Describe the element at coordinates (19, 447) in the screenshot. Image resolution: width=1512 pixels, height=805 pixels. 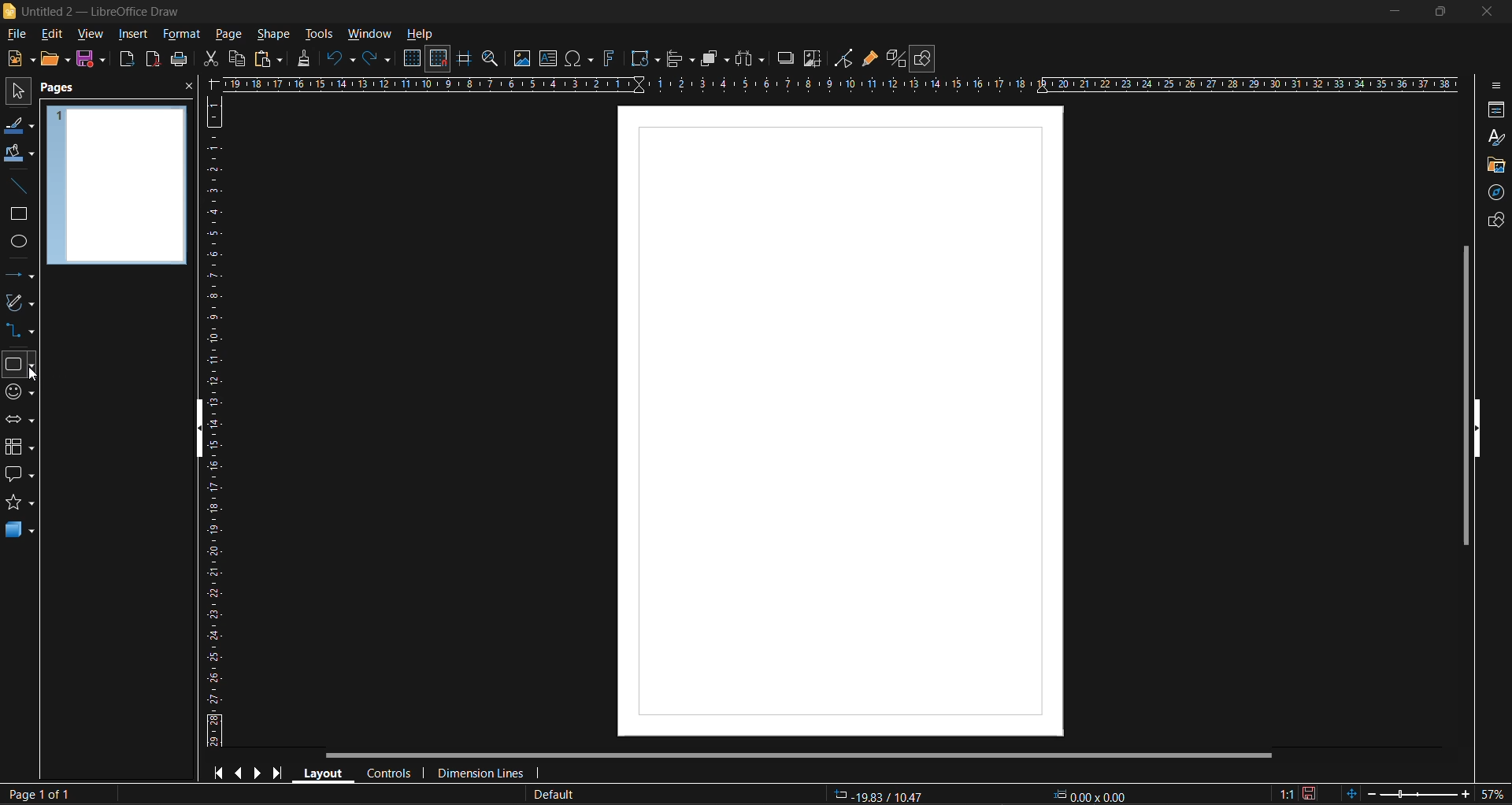
I see `flowchart` at that location.